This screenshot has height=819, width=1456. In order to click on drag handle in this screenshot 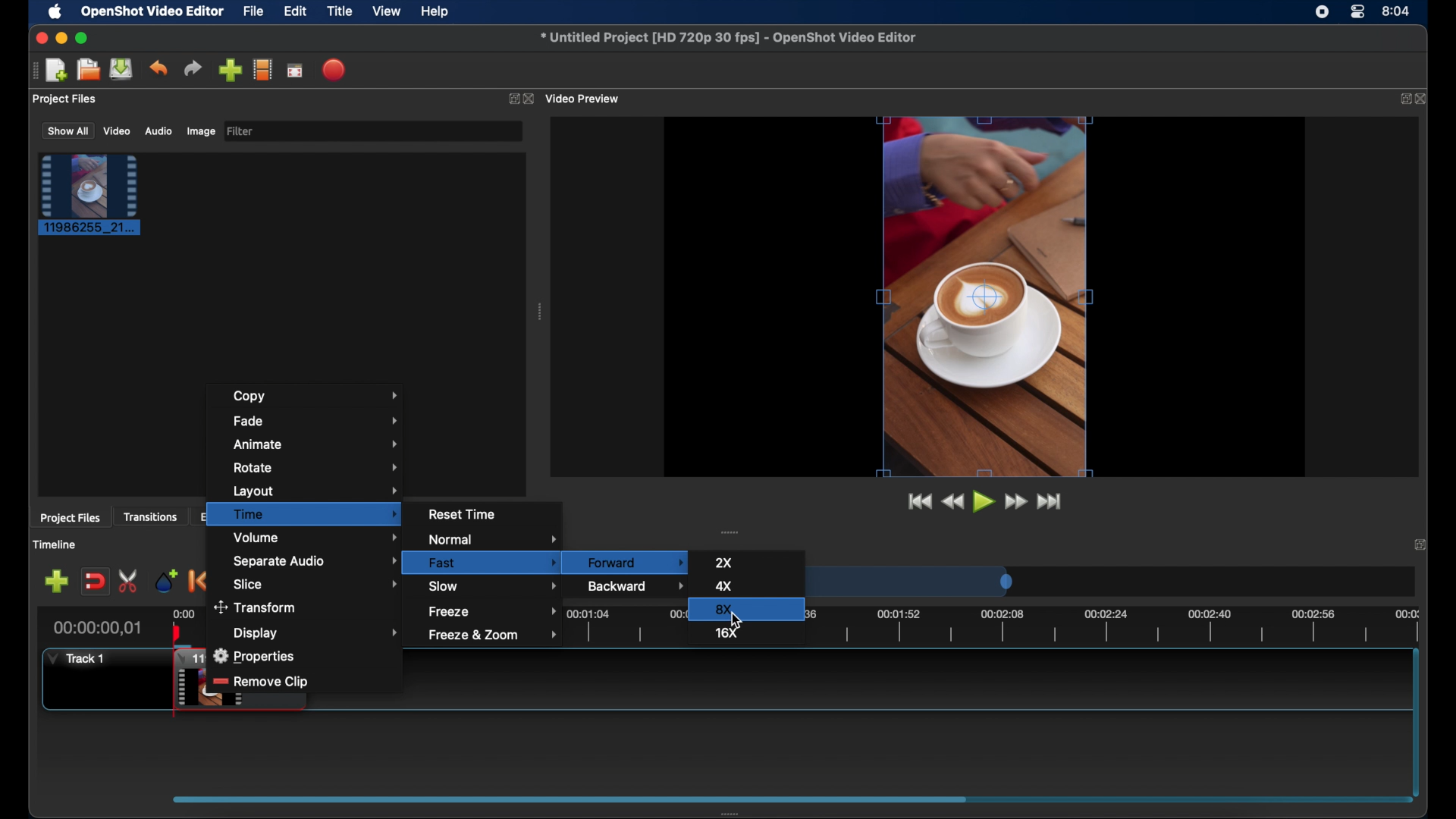, I will do `click(739, 811)`.